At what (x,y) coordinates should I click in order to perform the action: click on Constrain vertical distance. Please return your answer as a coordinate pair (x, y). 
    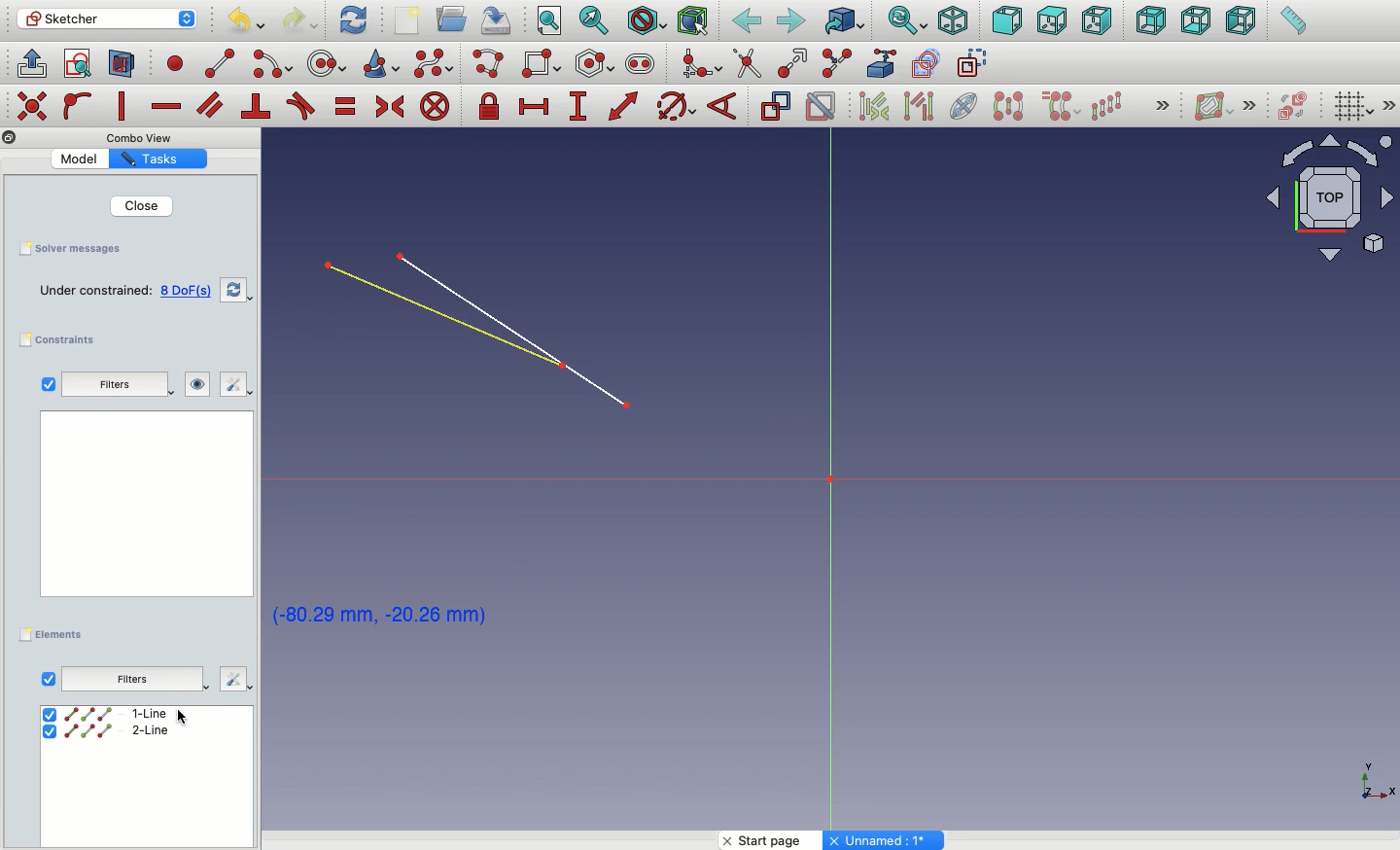
    Looking at the image, I should click on (581, 108).